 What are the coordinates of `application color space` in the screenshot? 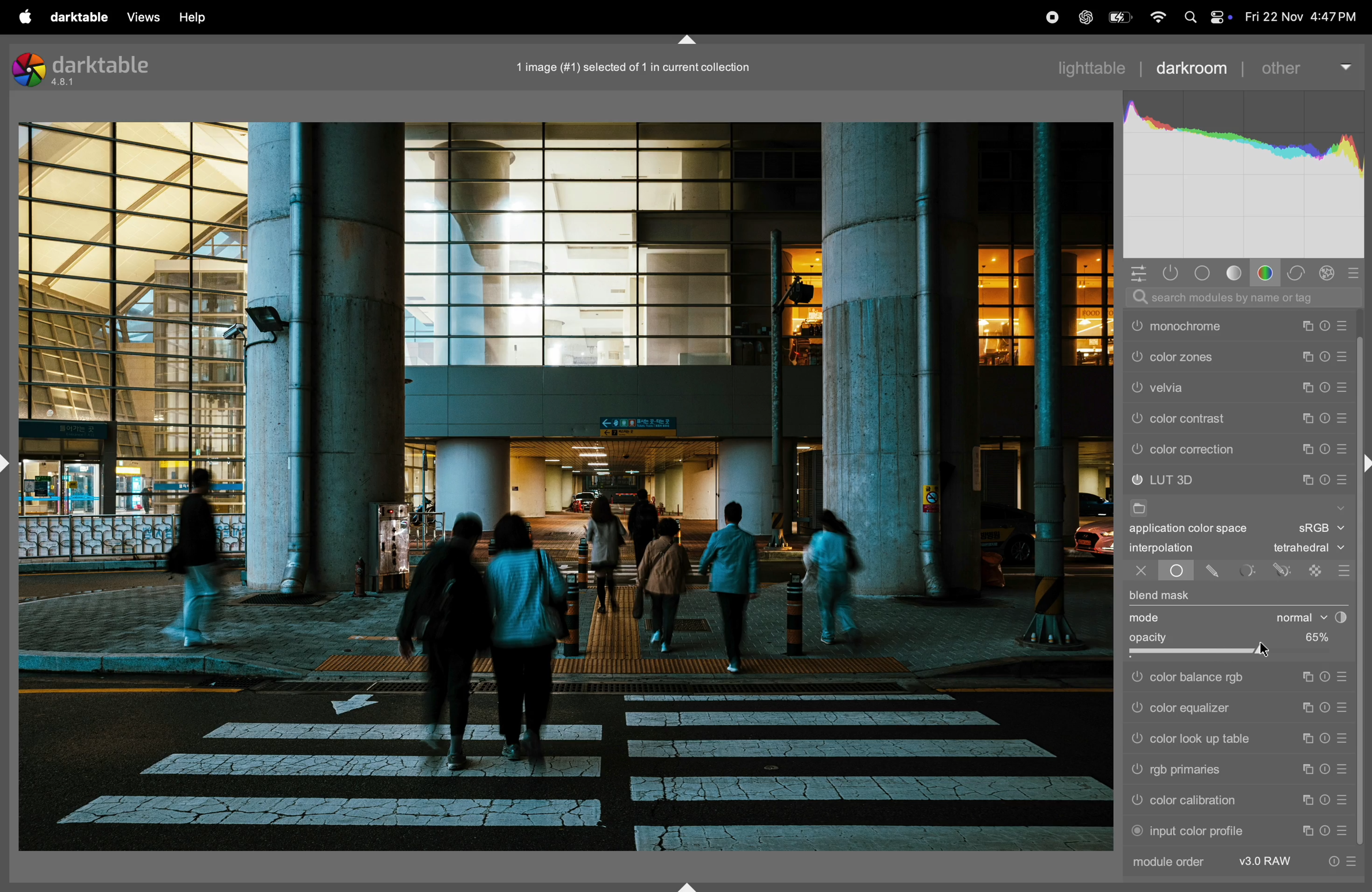 It's located at (1198, 530).